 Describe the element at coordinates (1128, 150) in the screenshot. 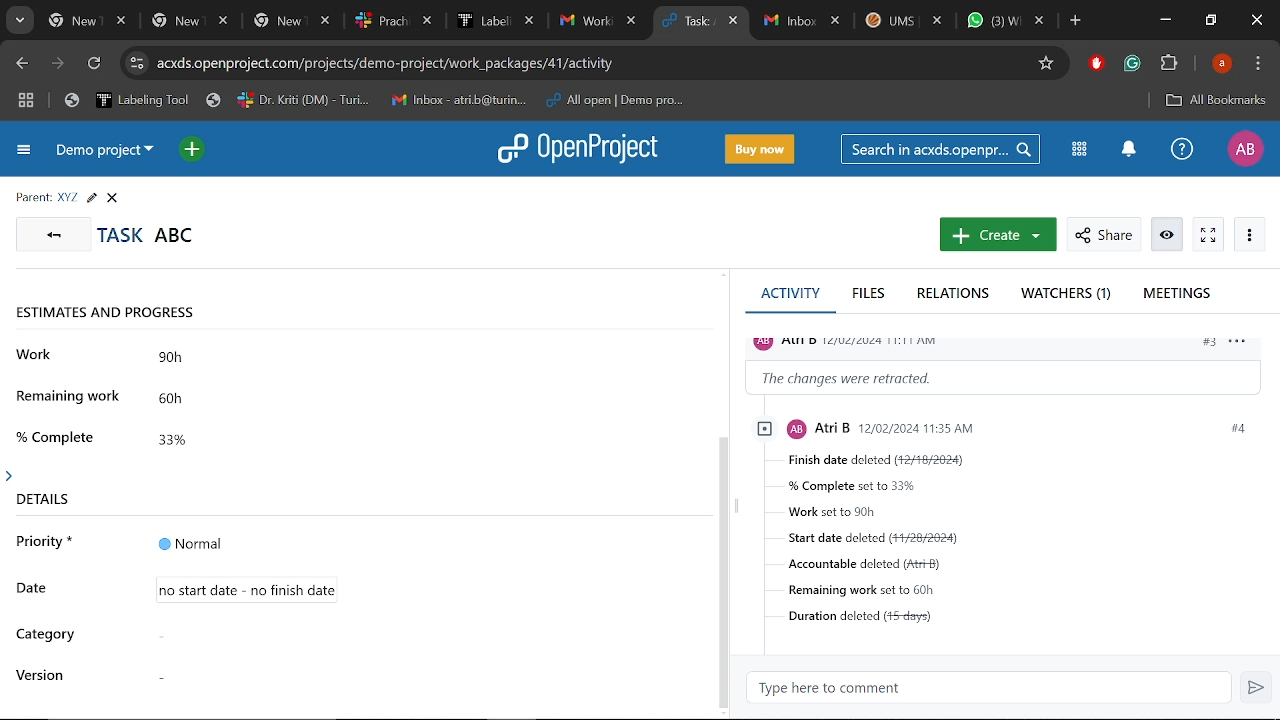

I see `Notifications` at that location.